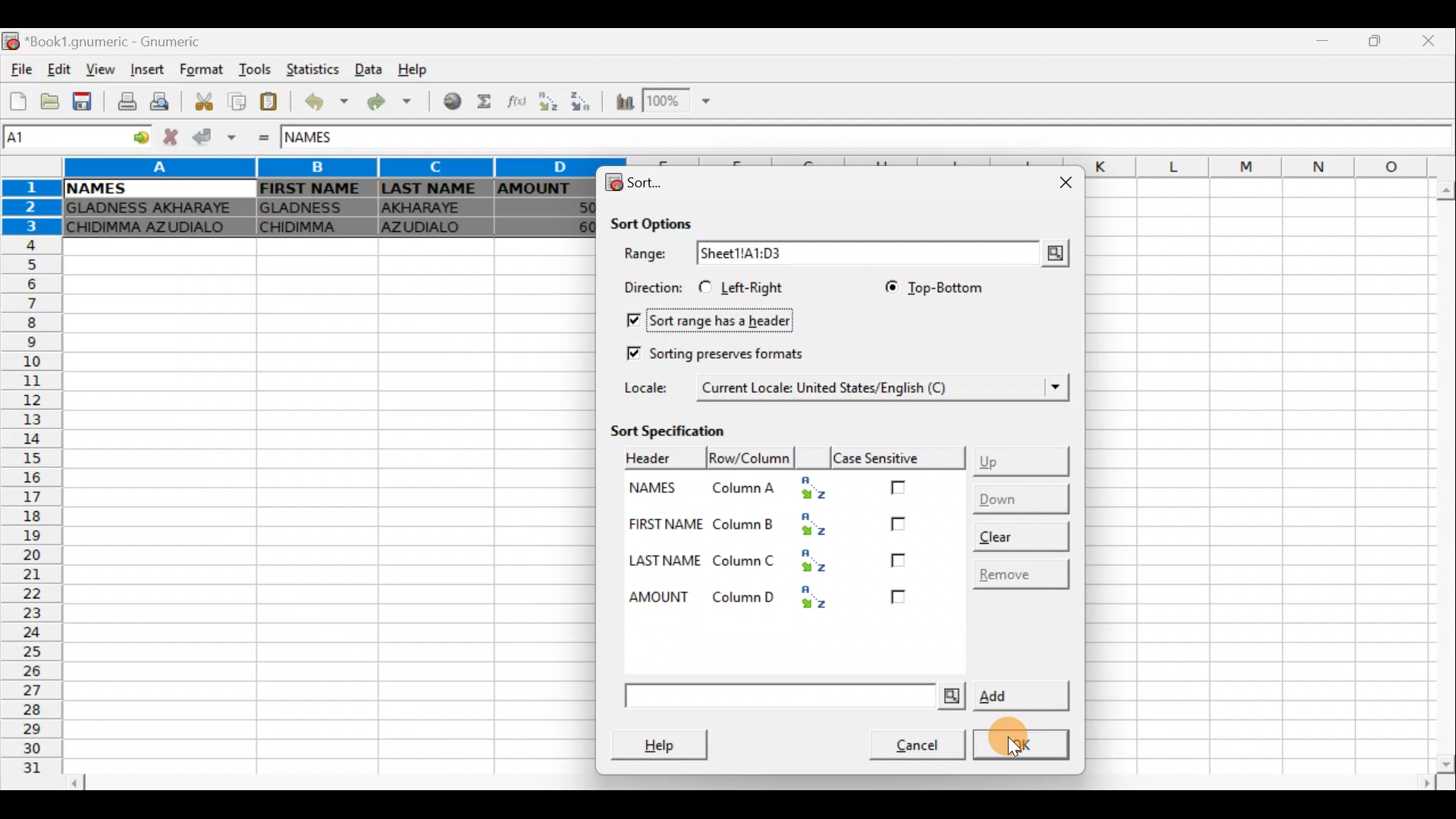 The width and height of the screenshot is (1456, 819). What do you see at coordinates (136, 139) in the screenshot?
I see `Go to` at bounding box center [136, 139].